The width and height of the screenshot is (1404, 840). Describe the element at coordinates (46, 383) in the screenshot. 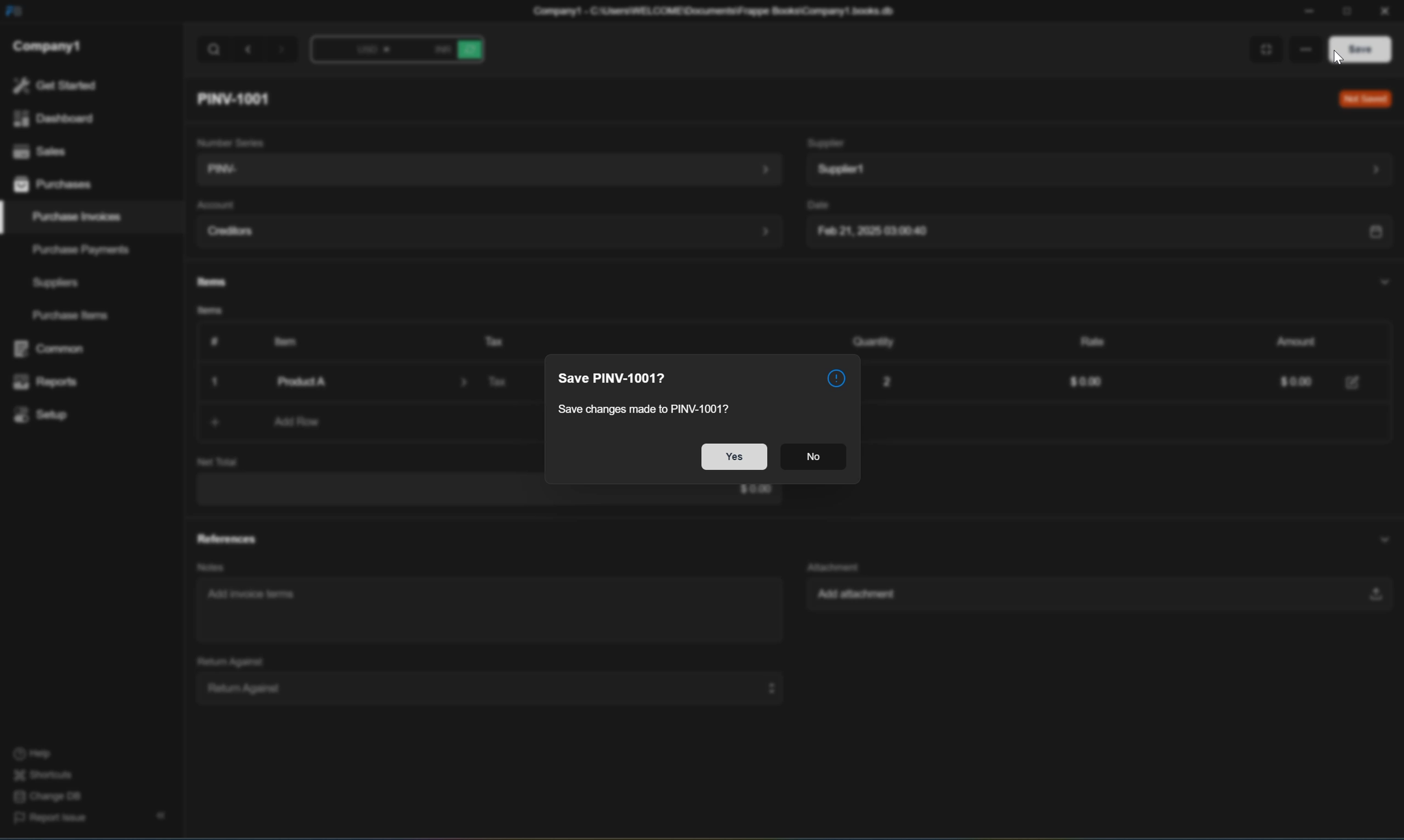

I see `reports` at that location.